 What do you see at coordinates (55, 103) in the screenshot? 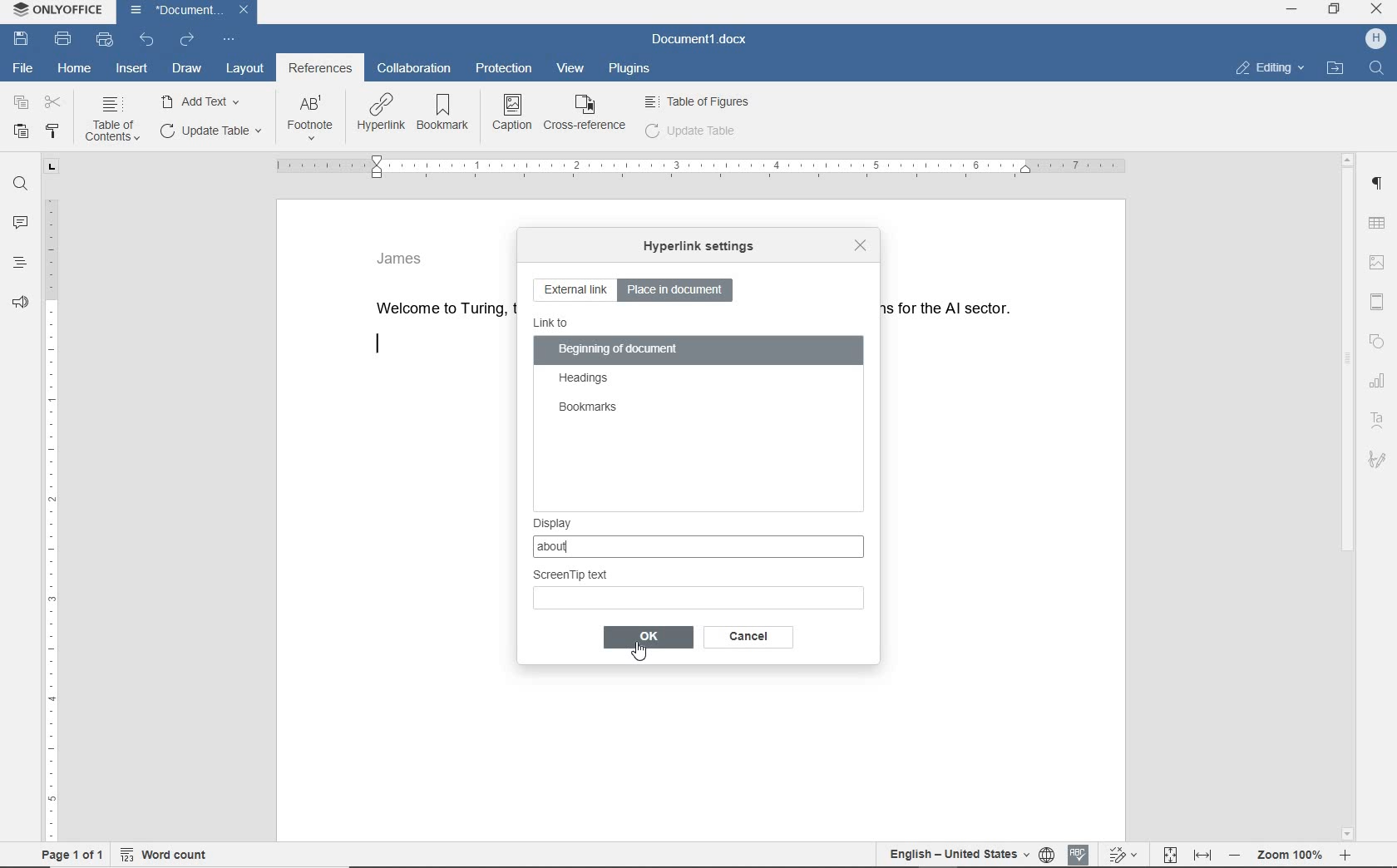
I see `cut` at bounding box center [55, 103].